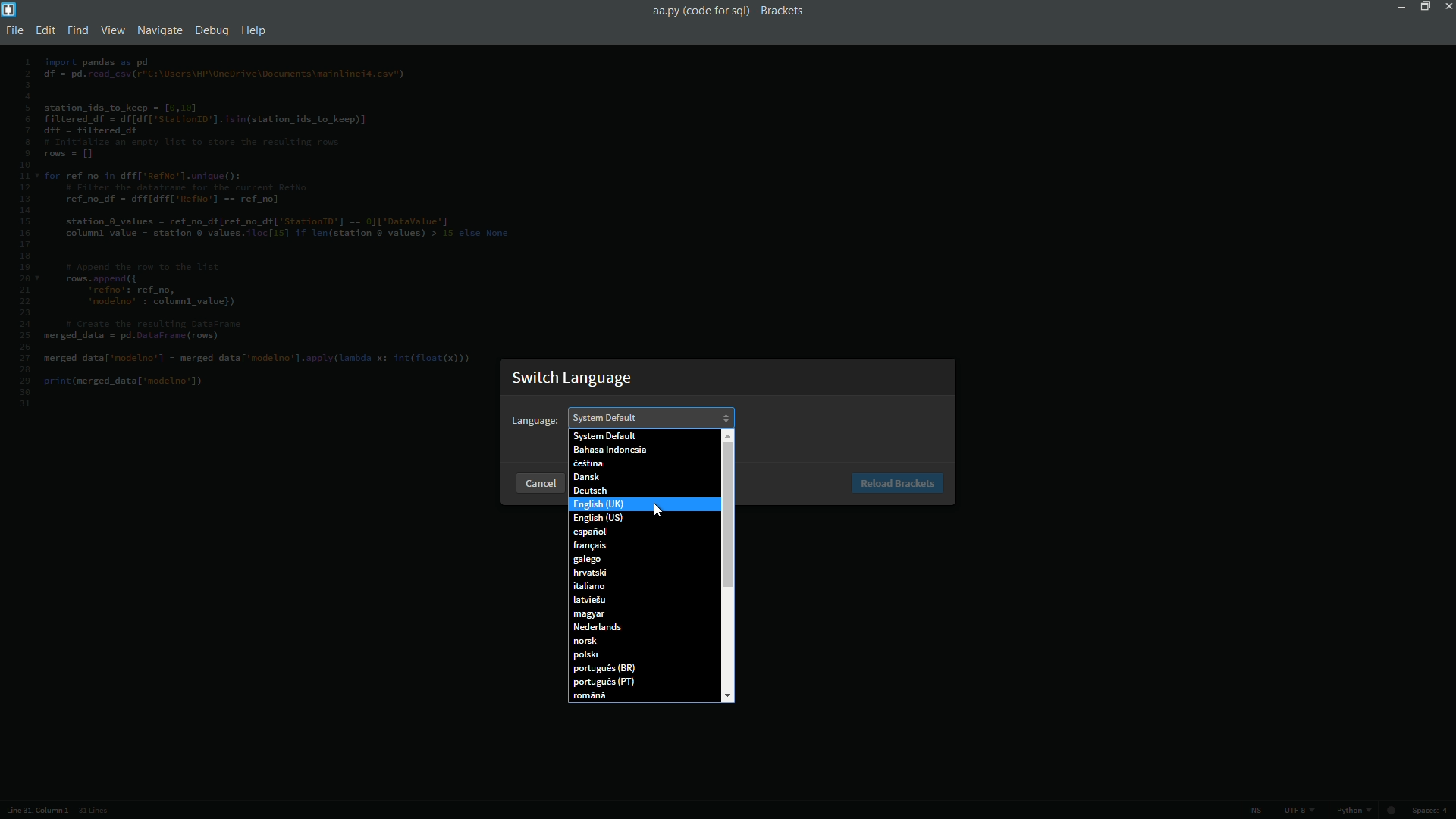 The width and height of the screenshot is (1456, 819). Describe the element at coordinates (591, 615) in the screenshot. I see `language-13` at that location.